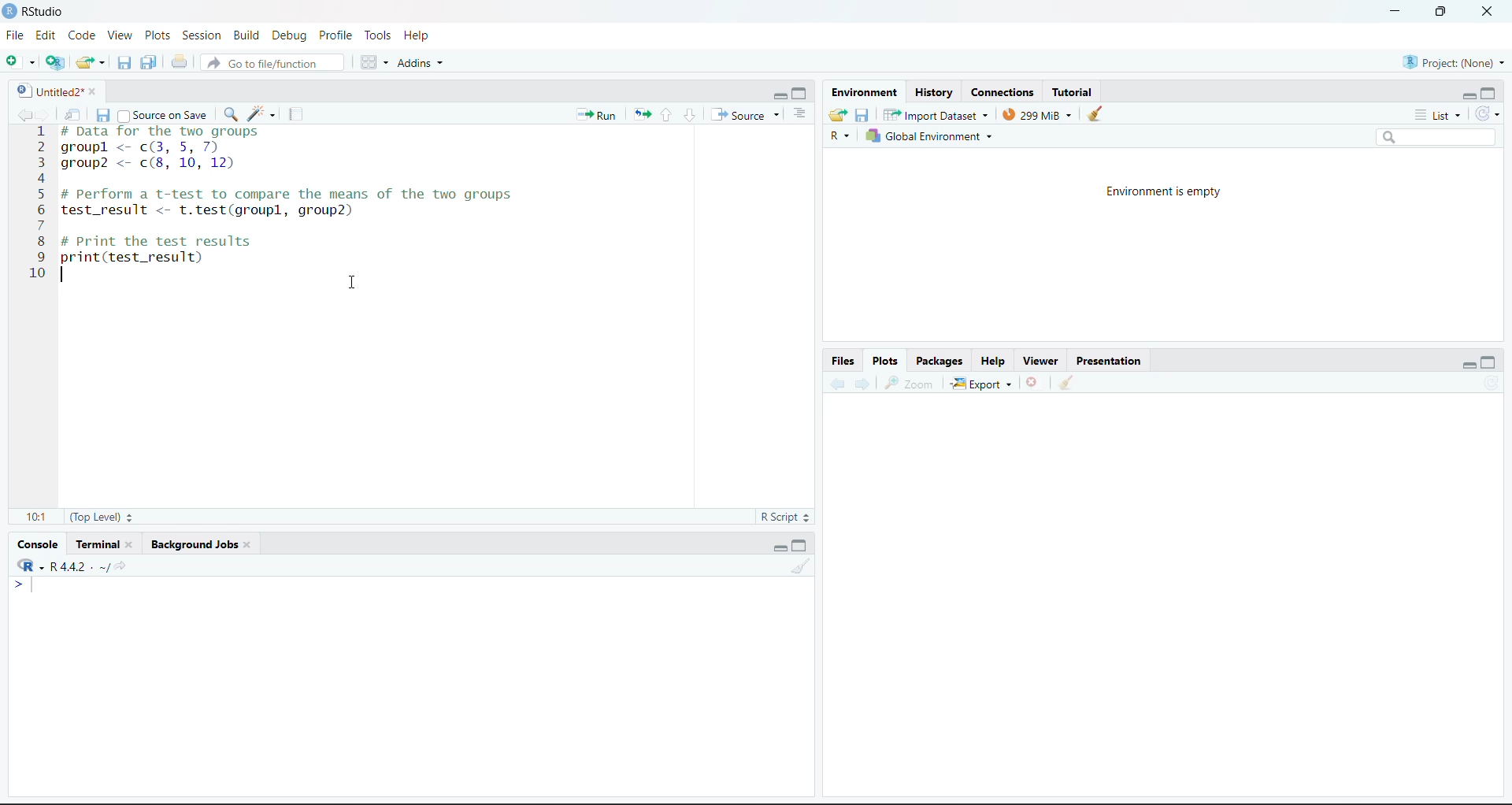  What do you see at coordinates (1006, 92) in the screenshot?
I see `Connections` at bounding box center [1006, 92].